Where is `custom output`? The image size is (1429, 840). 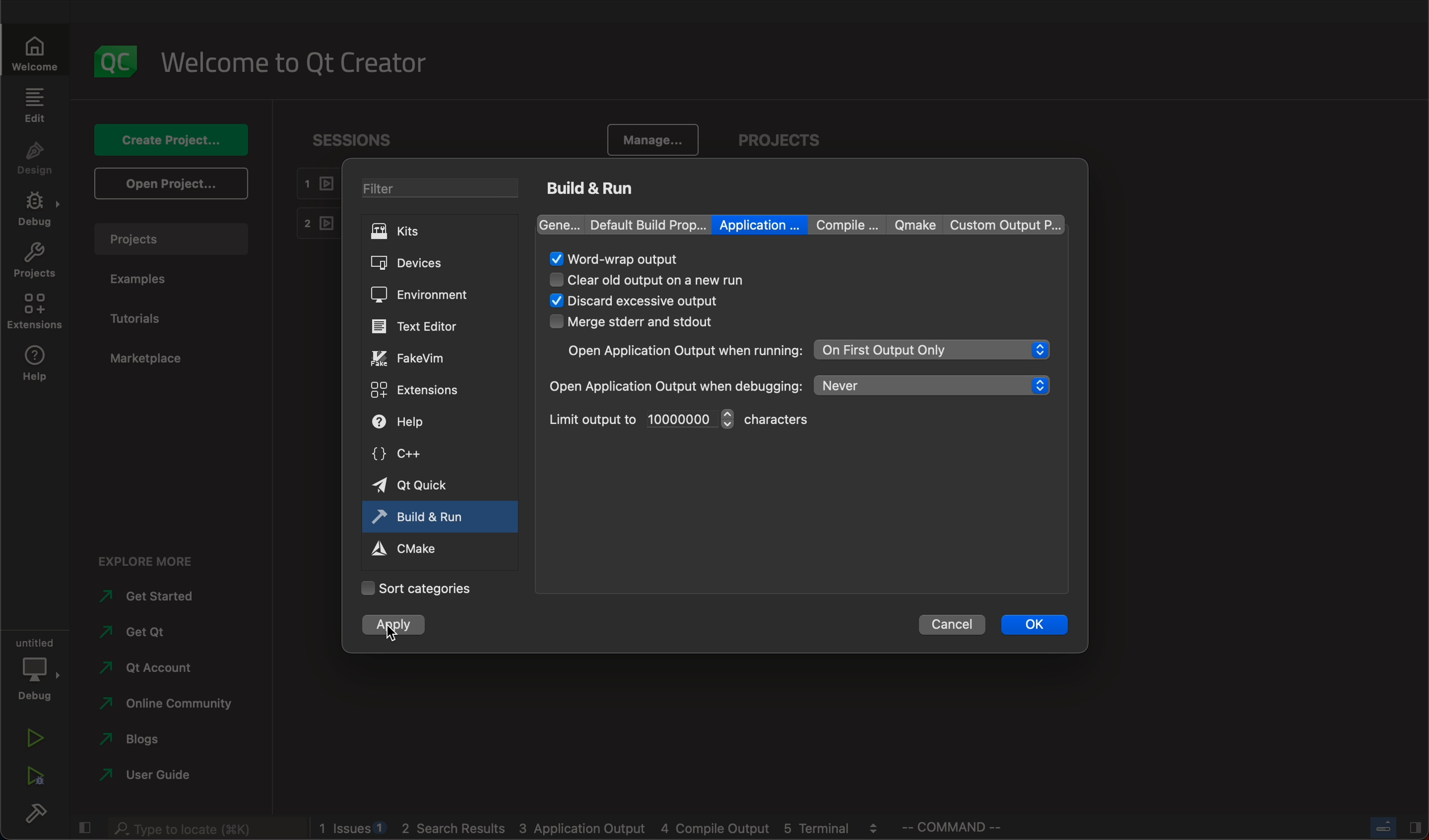 custom output is located at coordinates (999, 224).